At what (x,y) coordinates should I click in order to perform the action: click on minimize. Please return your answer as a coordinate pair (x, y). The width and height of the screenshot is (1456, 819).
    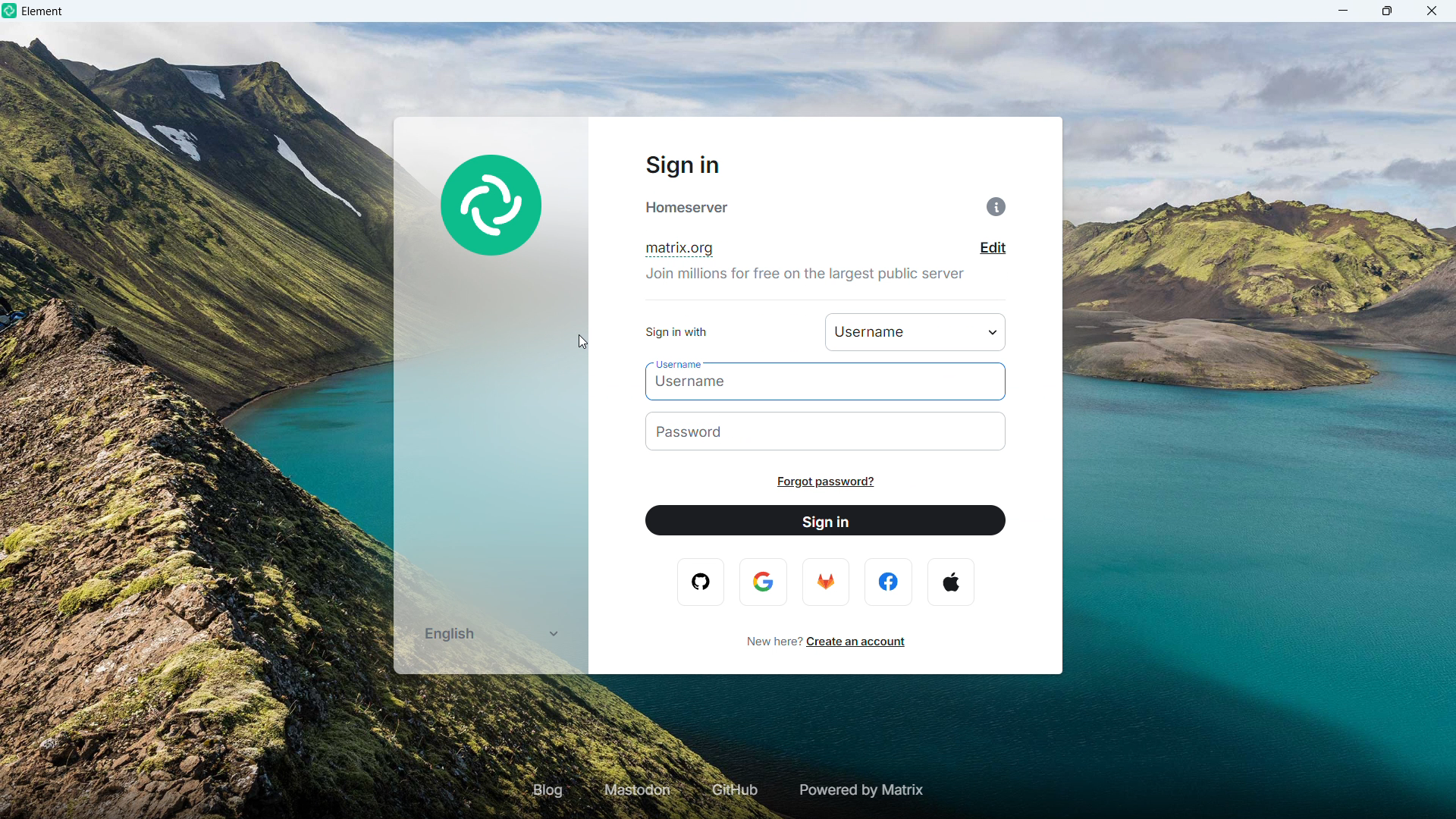
    Looking at the image, I should click on (1344, 11).